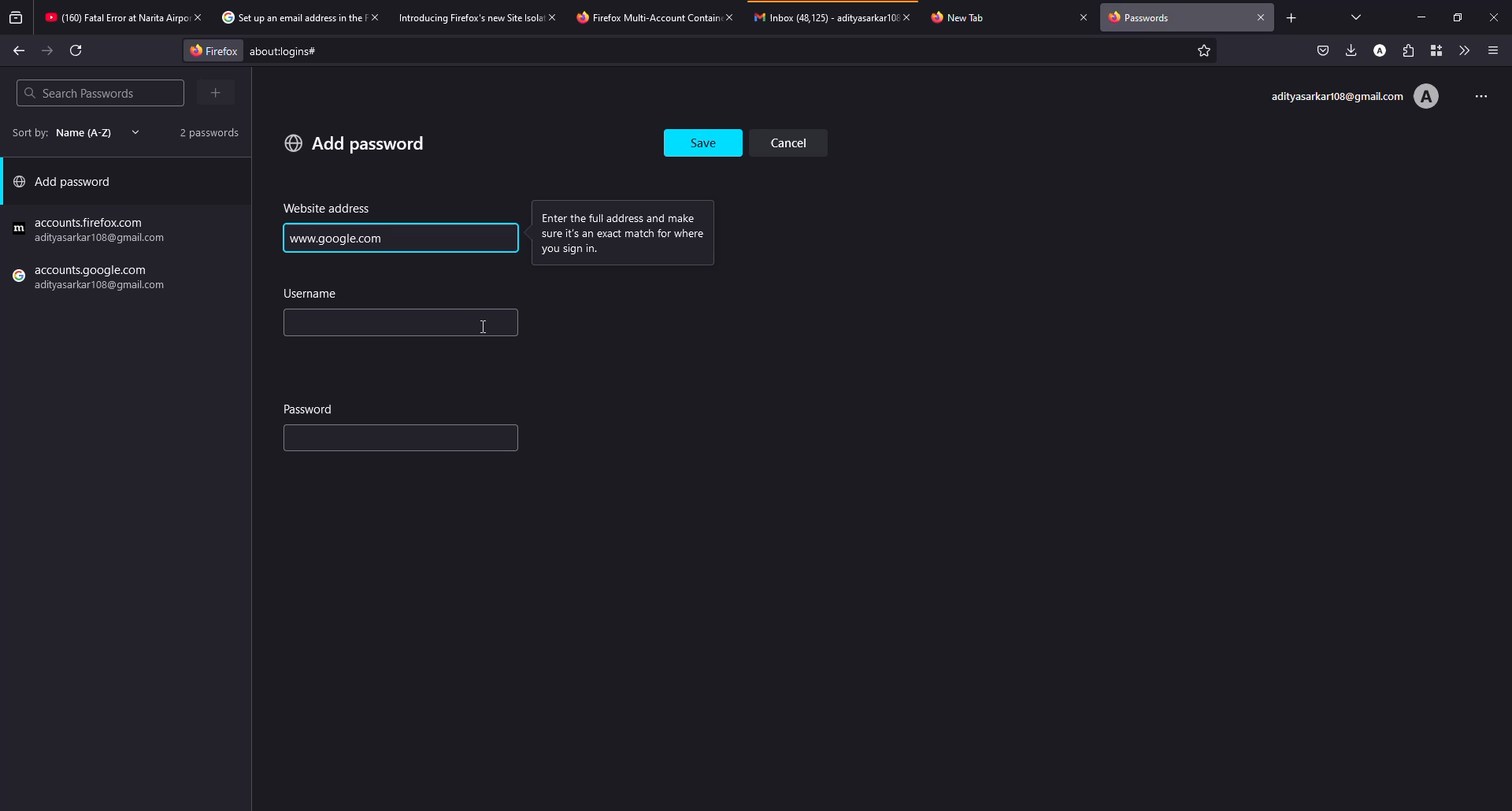 The height and width of the screenshot is (811, 1512). What do you see at coordinates (554, 17) in the screenshot?
I see `close` at bounding box center [554, 17].